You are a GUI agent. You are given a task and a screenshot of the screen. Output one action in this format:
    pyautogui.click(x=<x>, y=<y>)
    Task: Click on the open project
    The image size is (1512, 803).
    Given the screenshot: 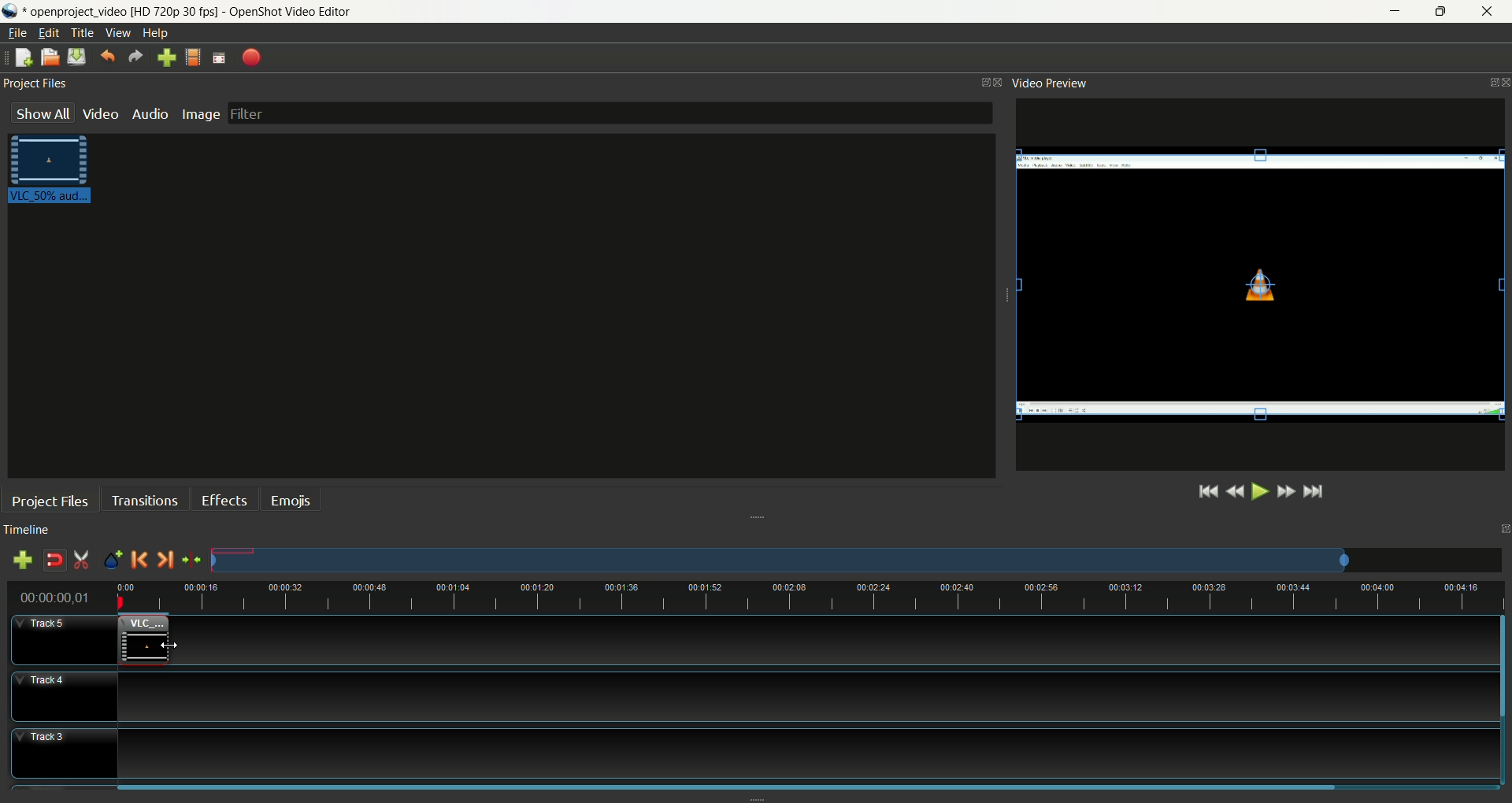 What is the action you would take?
    pyautogui.click(x=49, y=57)
    